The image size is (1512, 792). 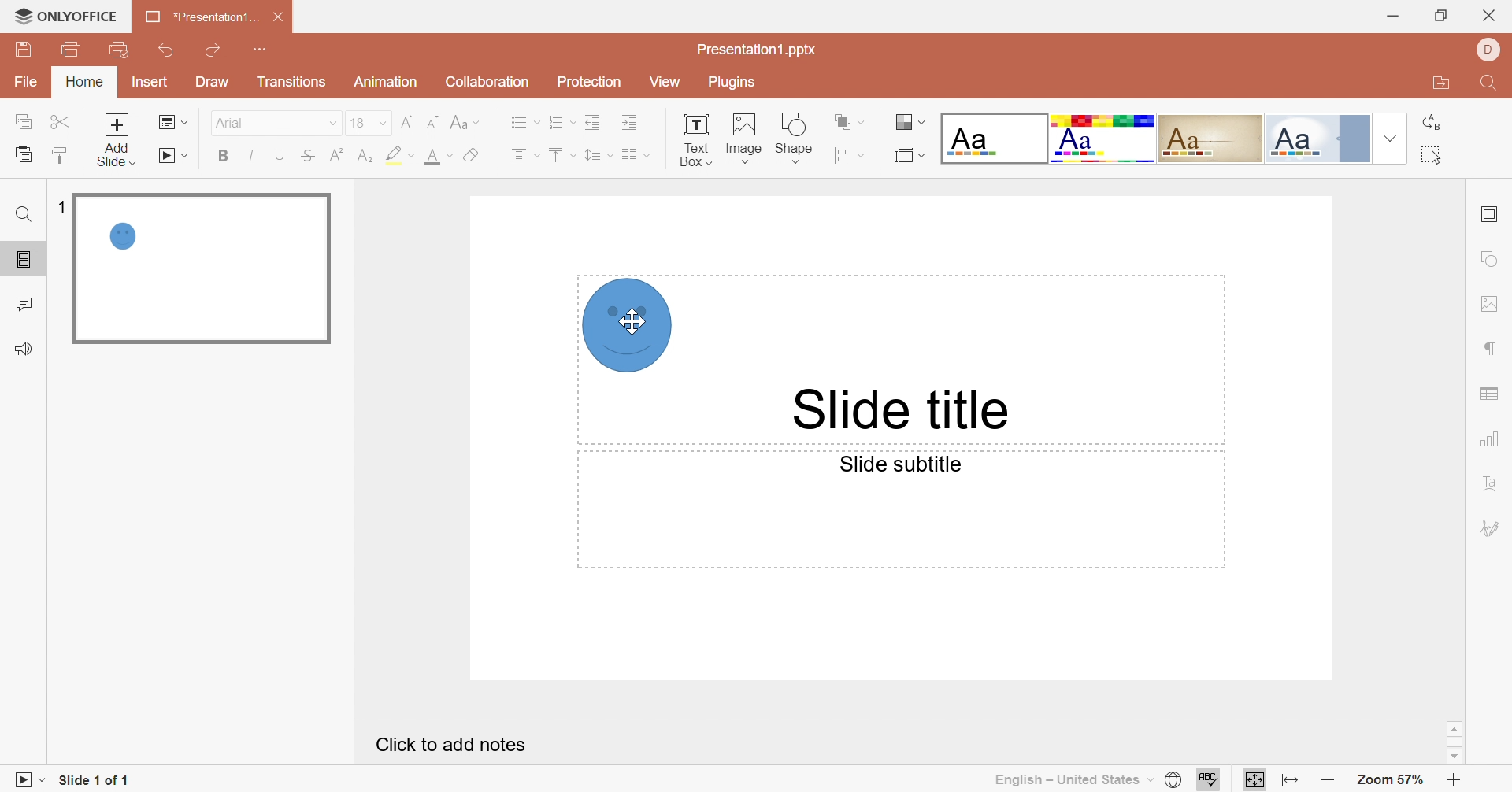 What do you see at coordinates (631, 124) in the screenshot?
I see `Increase Indent` at bounding box center [631, 124].